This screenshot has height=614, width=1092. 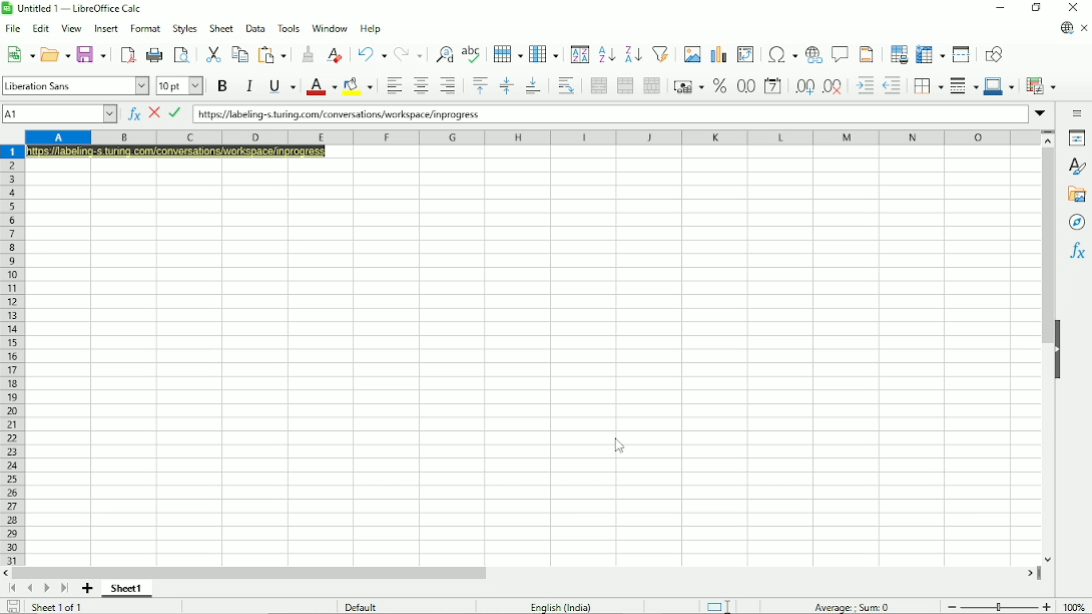 What do you see at coordinates (691, 53) in the screenshot?
I see `Insert image` at bounding box center [691, 53].